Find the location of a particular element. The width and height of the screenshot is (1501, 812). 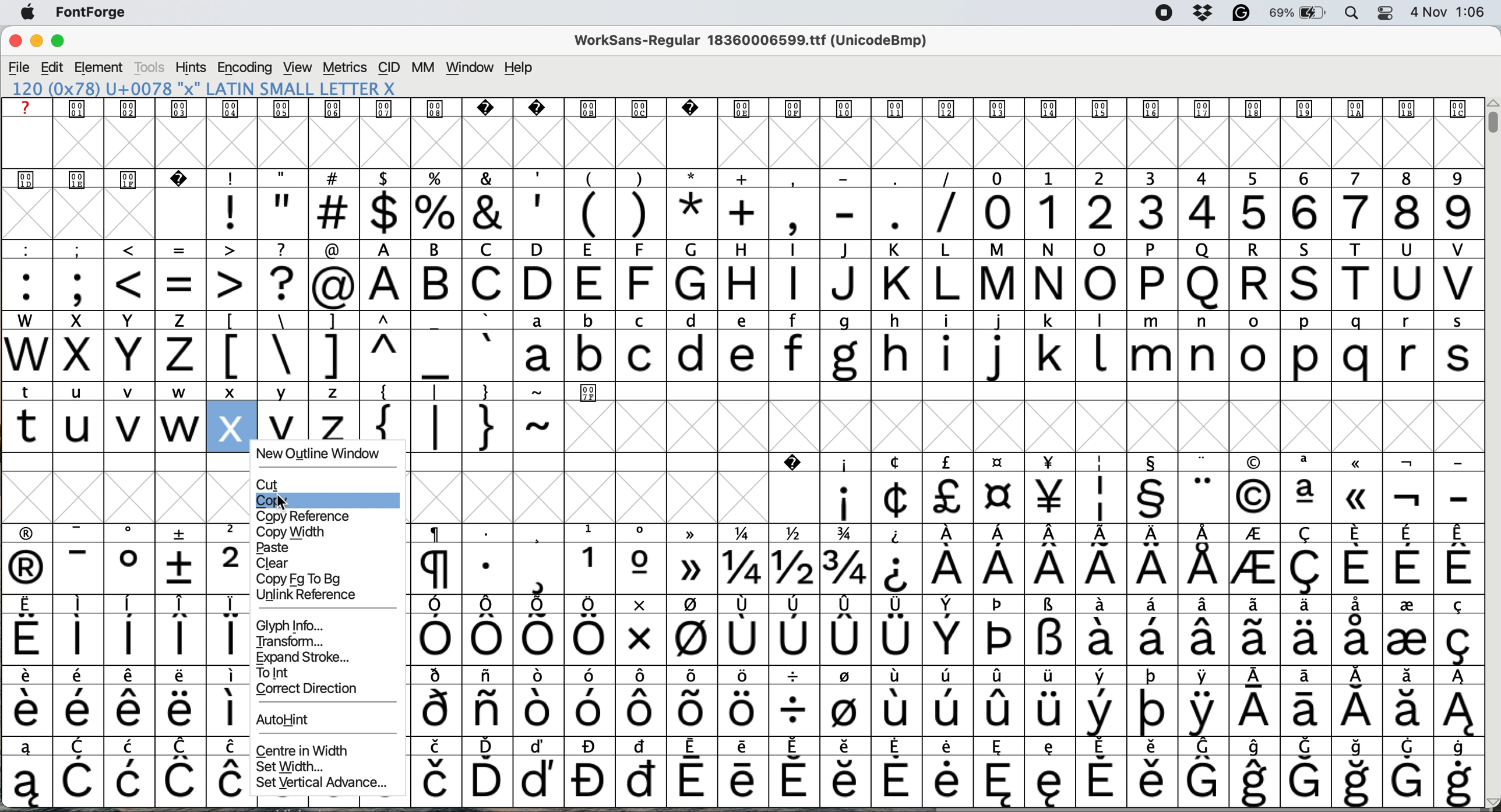

special characters is located at coordinates (123, 638).